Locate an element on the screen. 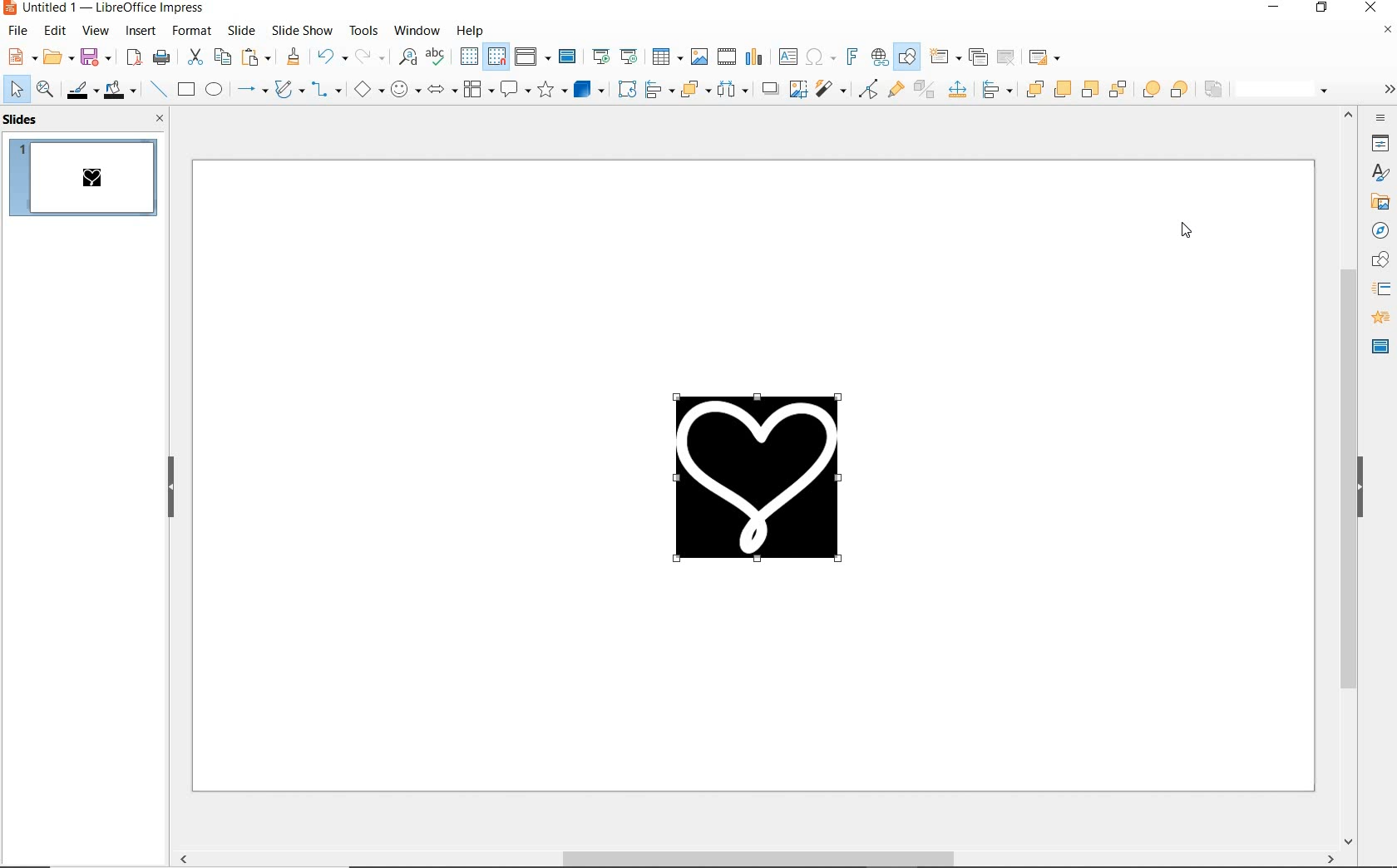  copy is located at coordinates (221, 57).